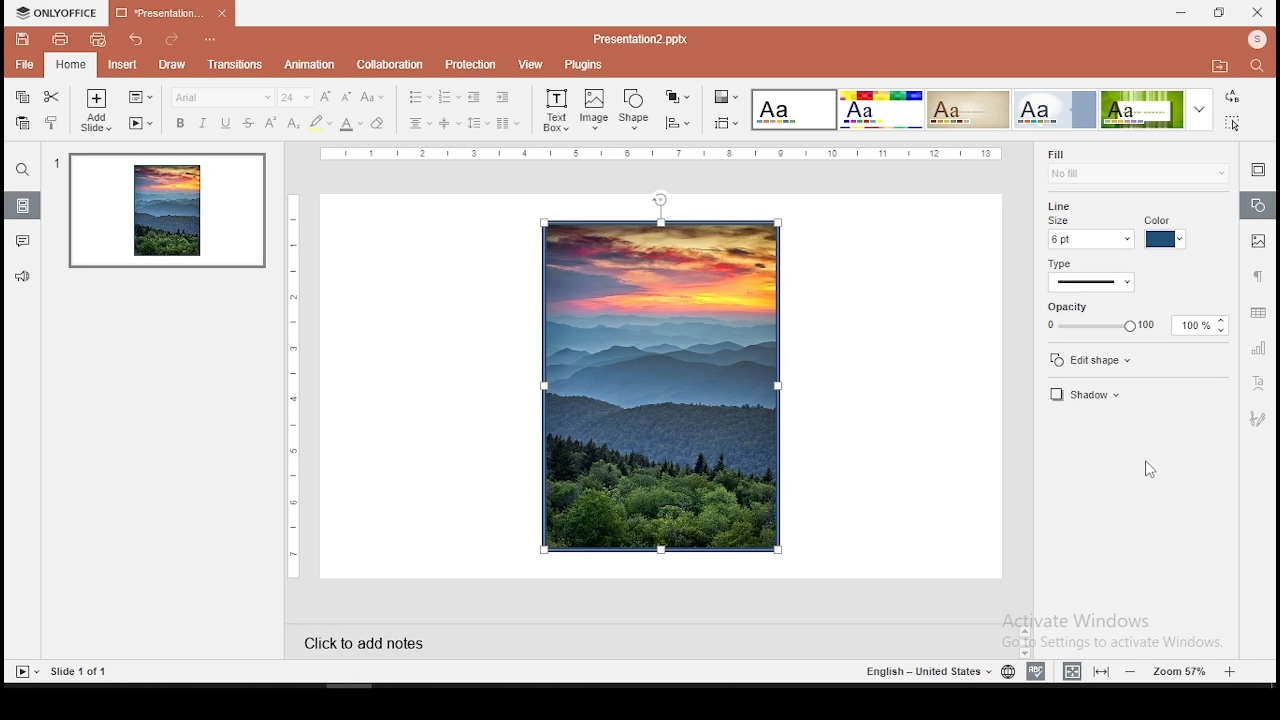 Image resolution: width=1280 pixels, height=720 pixels. What do you see at coordinates (1257, 417) in the screenshot?
I see `` at bounding box center [1257, 417].